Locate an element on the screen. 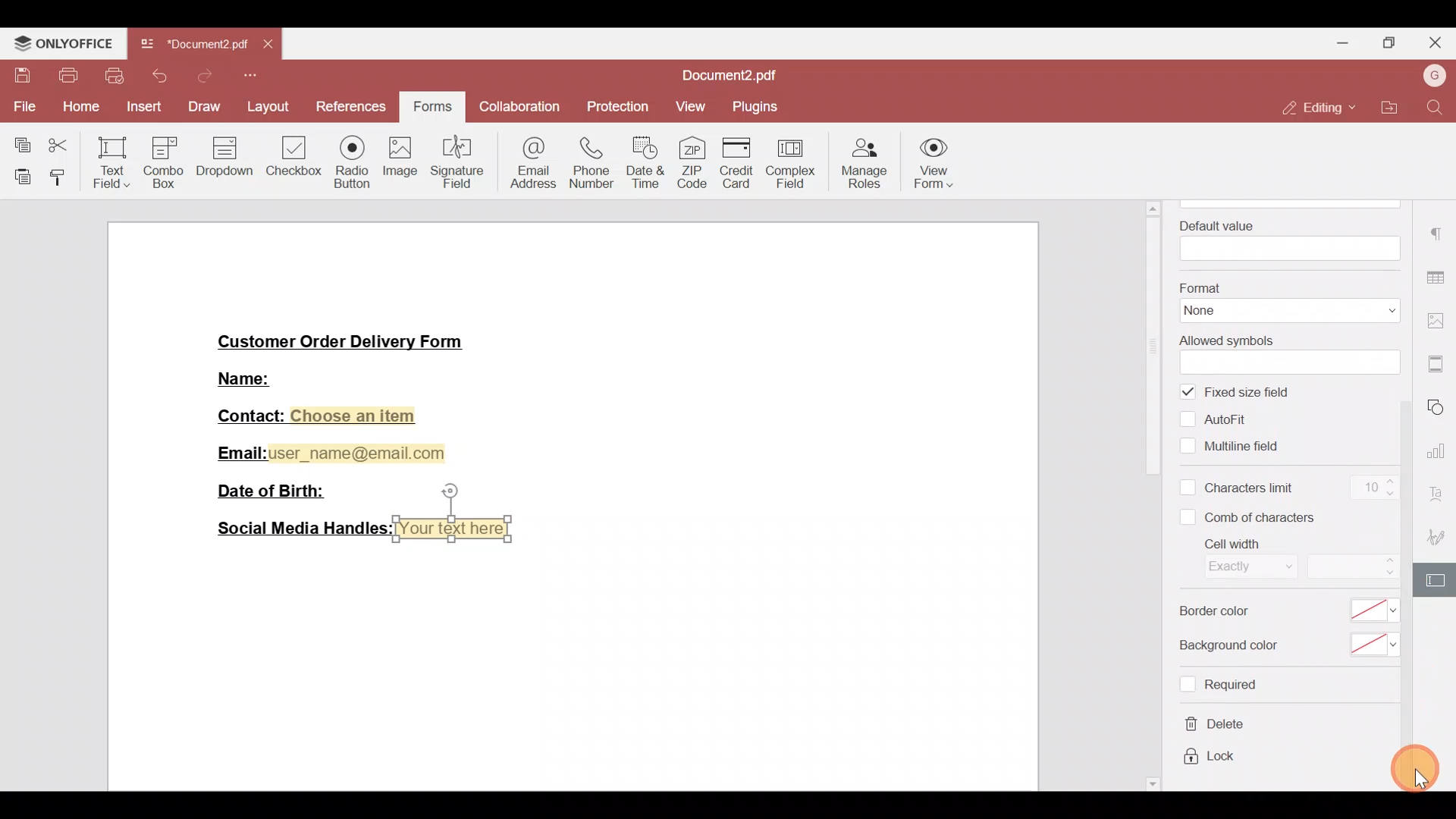 The width and height of the screenshot is (1456, 819). Character limit count is located at coordinates (1370, 489).